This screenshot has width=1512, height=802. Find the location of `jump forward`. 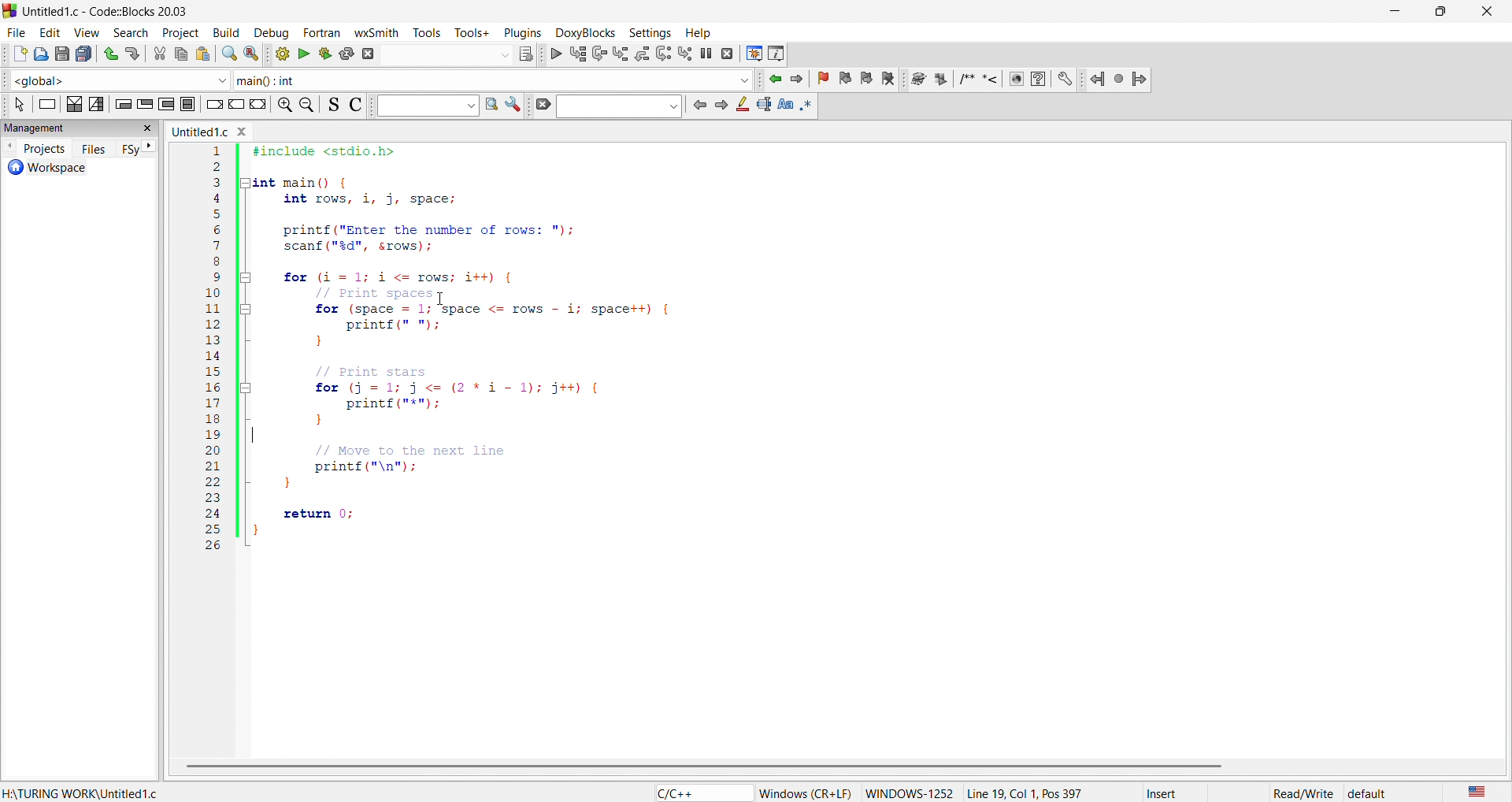

jump forward is located at coordinates (1142, 77).